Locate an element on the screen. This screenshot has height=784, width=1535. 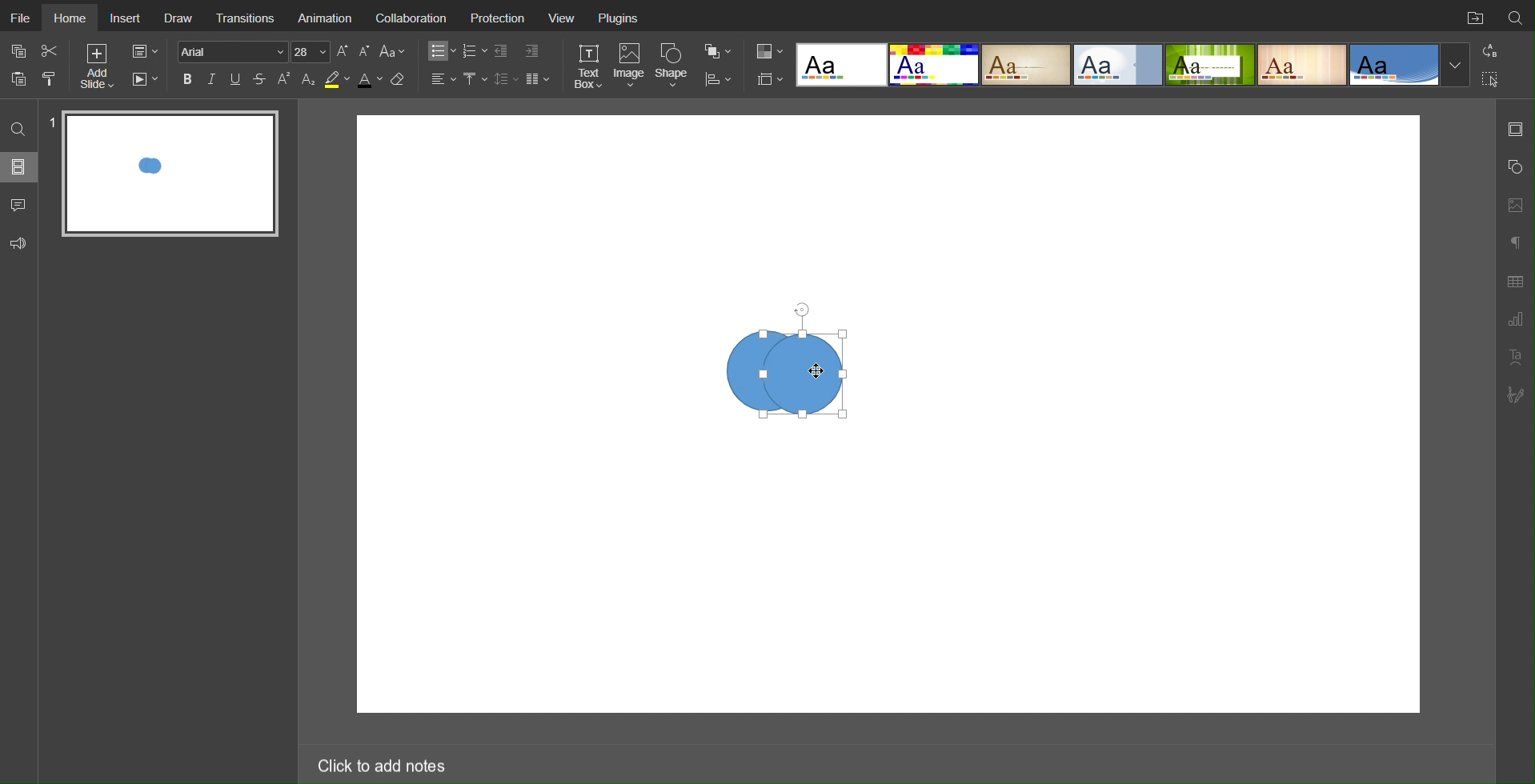
Strikethrough is located at coordinates (260, 79).